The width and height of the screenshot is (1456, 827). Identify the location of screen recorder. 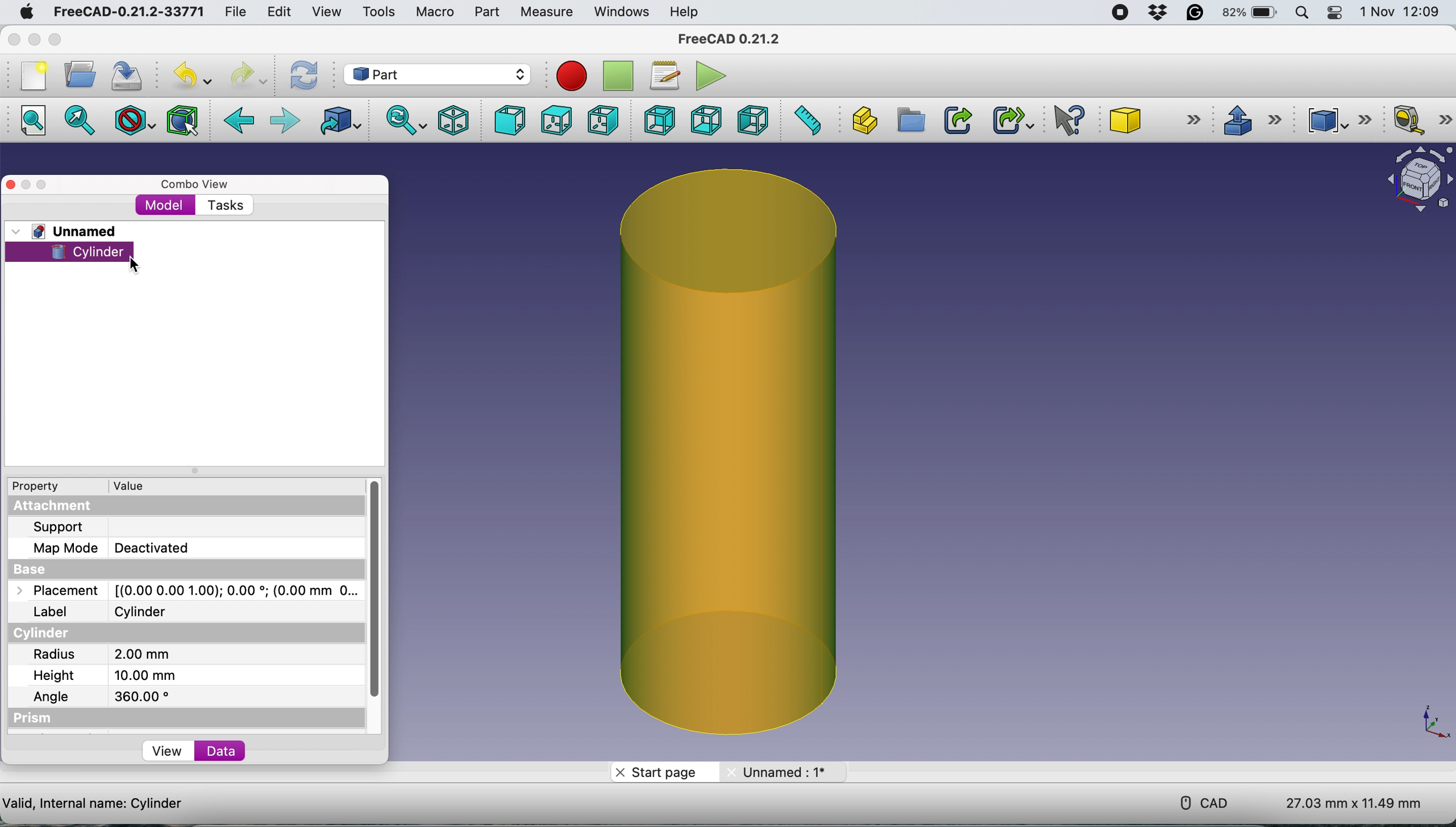
(1122, 14).